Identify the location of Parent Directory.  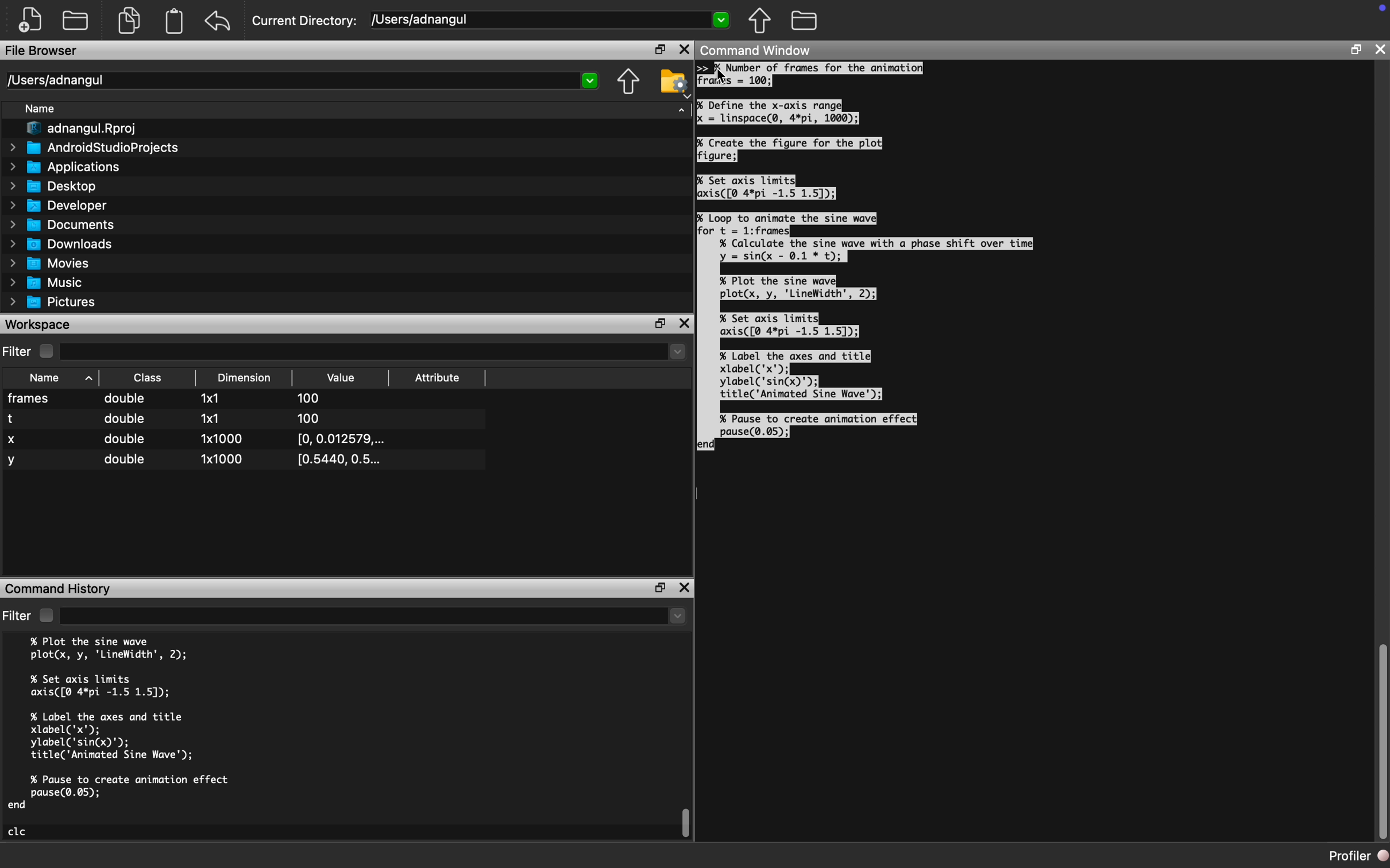
(628, 83).